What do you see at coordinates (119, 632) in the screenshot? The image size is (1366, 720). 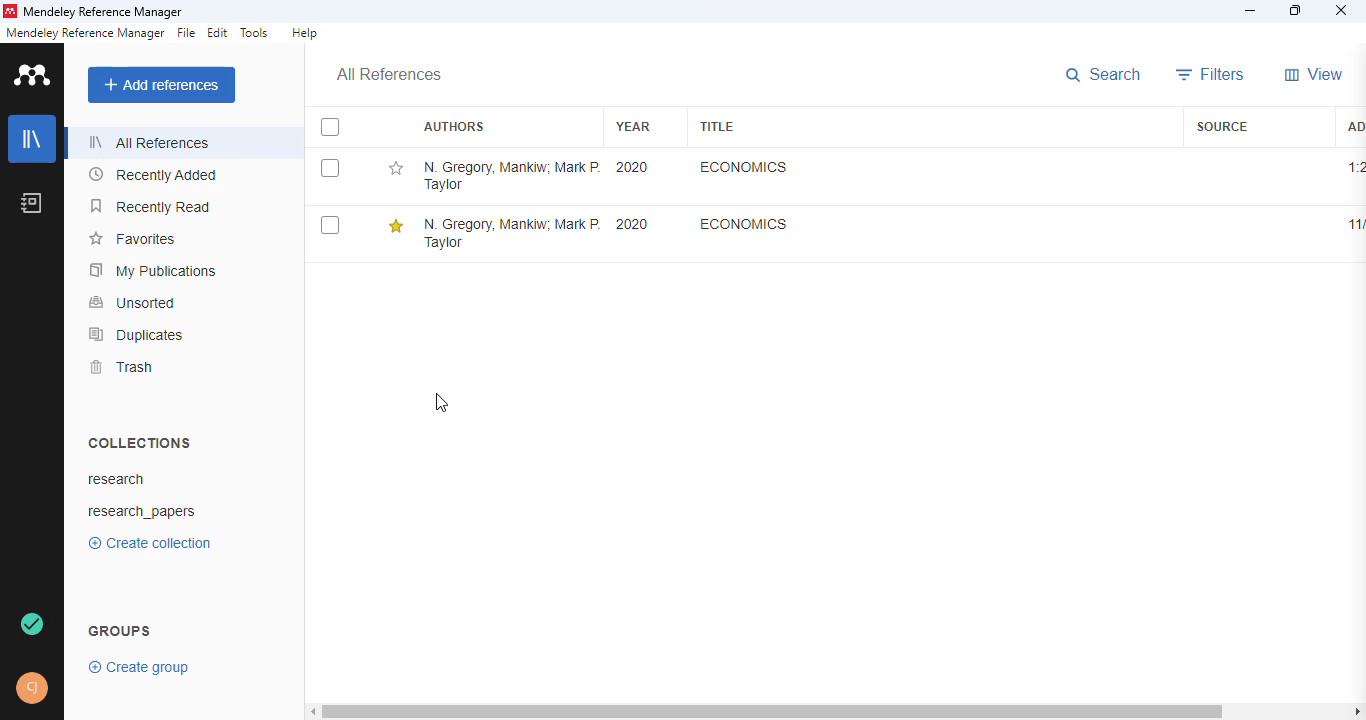 I see `groups` at bounding box center [119, 632].